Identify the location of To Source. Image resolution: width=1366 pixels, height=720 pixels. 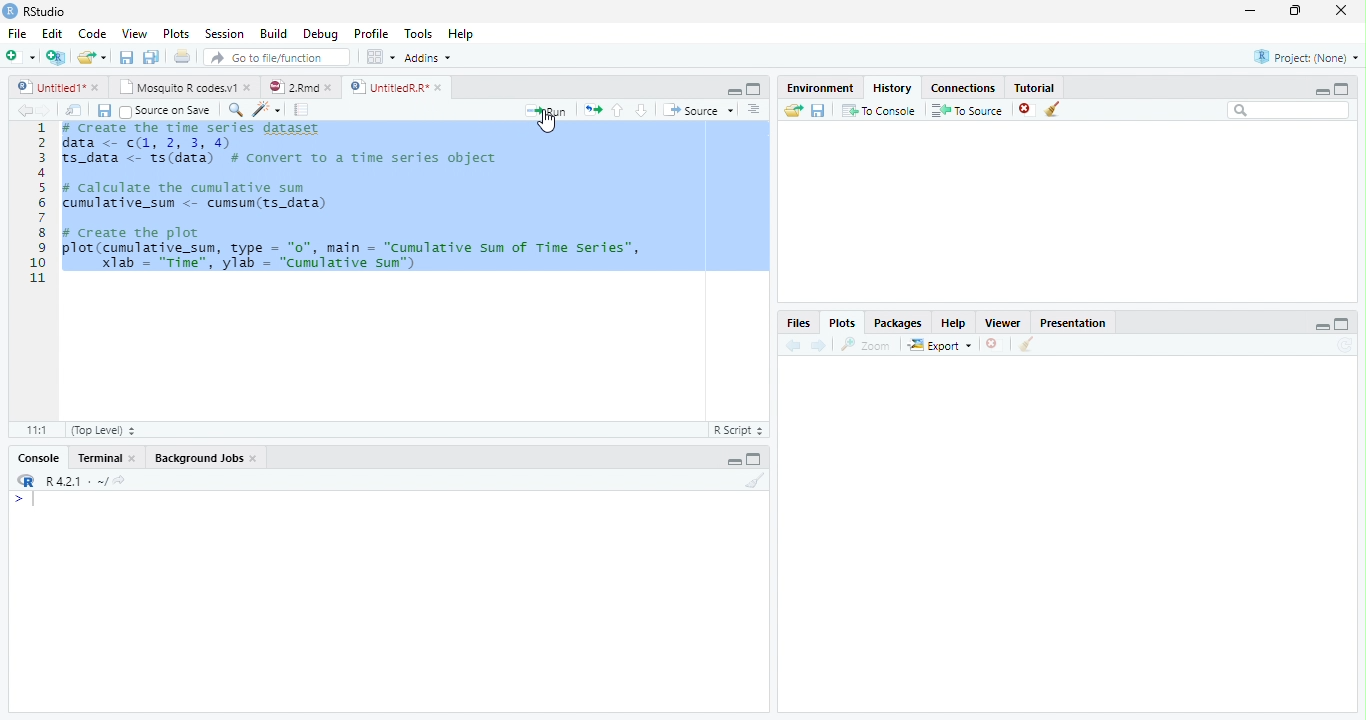
(966, 111).